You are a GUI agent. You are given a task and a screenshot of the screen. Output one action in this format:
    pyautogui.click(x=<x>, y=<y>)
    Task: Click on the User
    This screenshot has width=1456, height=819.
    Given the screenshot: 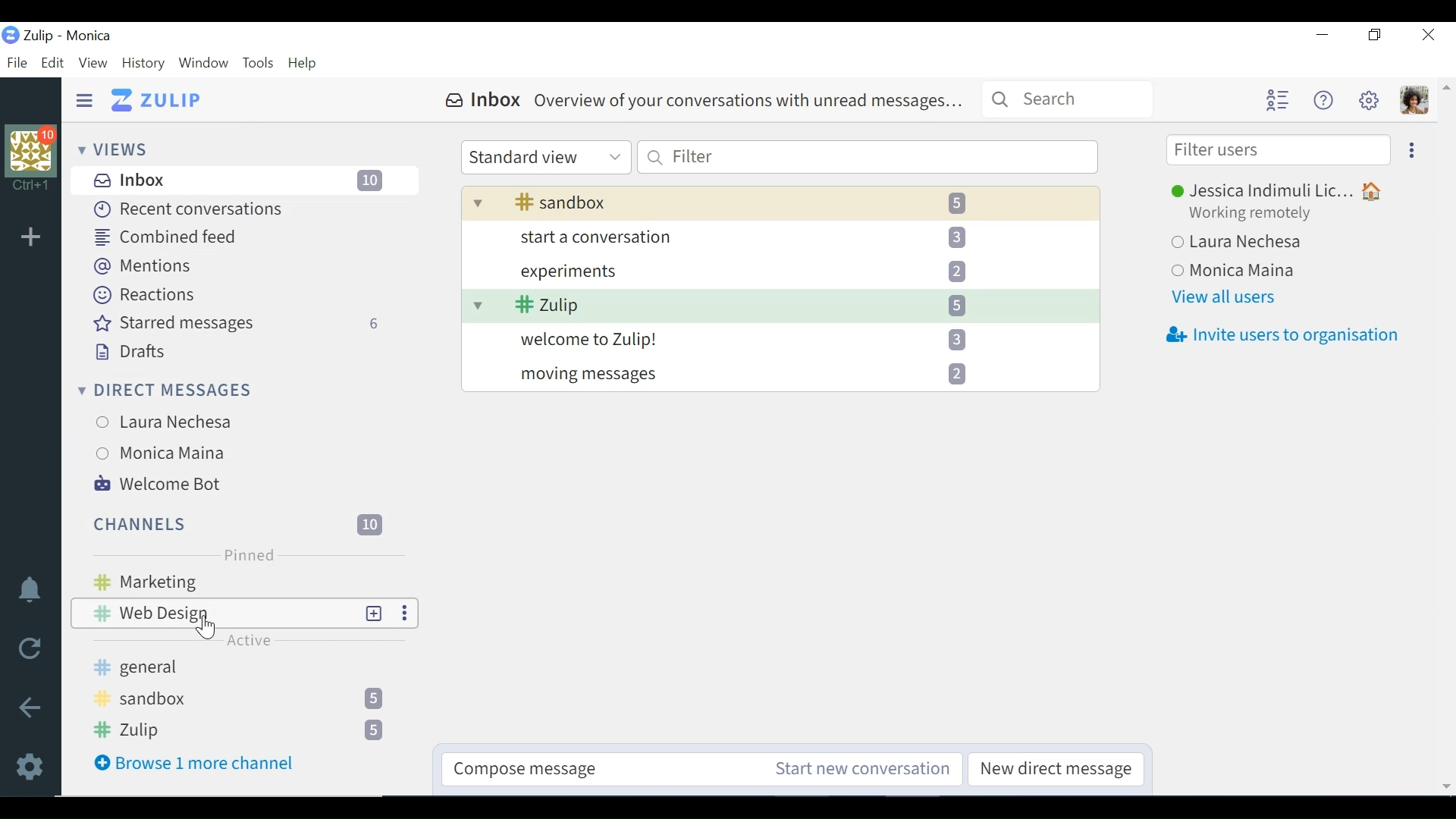 What is the action you would take?
    pyautogui.click(x=1243, y=270)
    